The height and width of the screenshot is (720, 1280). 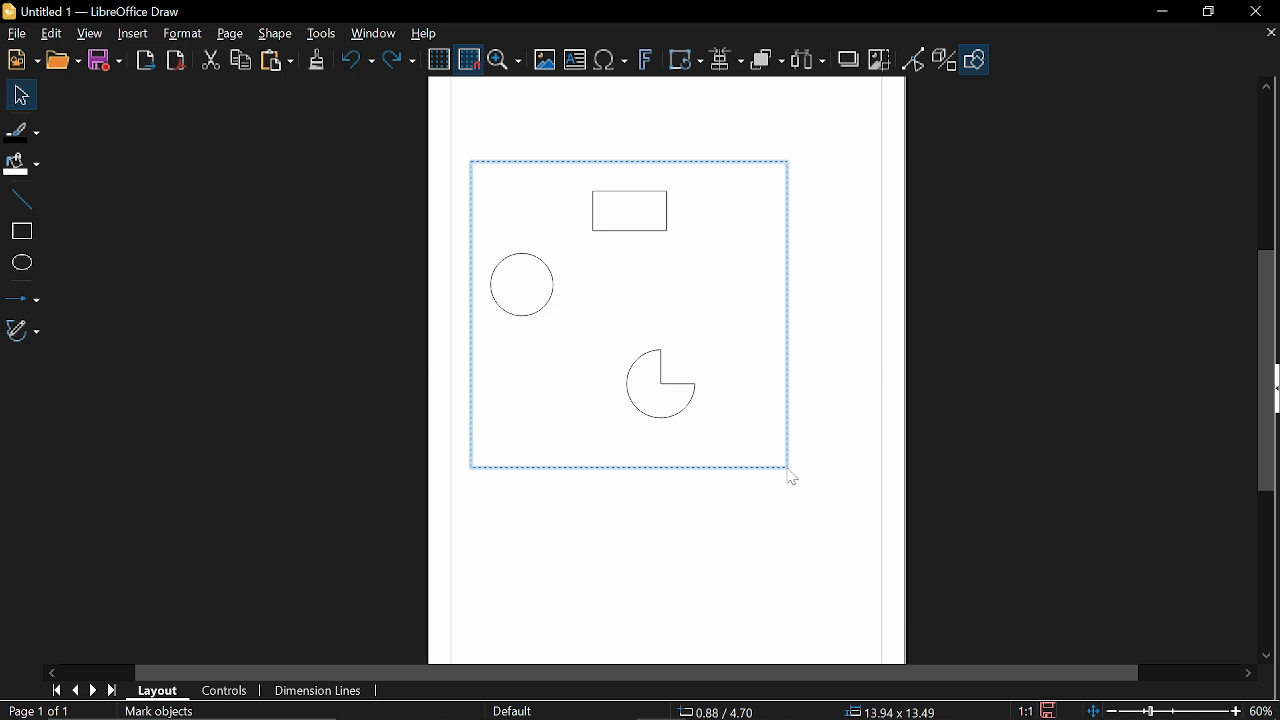 I want to click on cut, so click(x=210, y=59).